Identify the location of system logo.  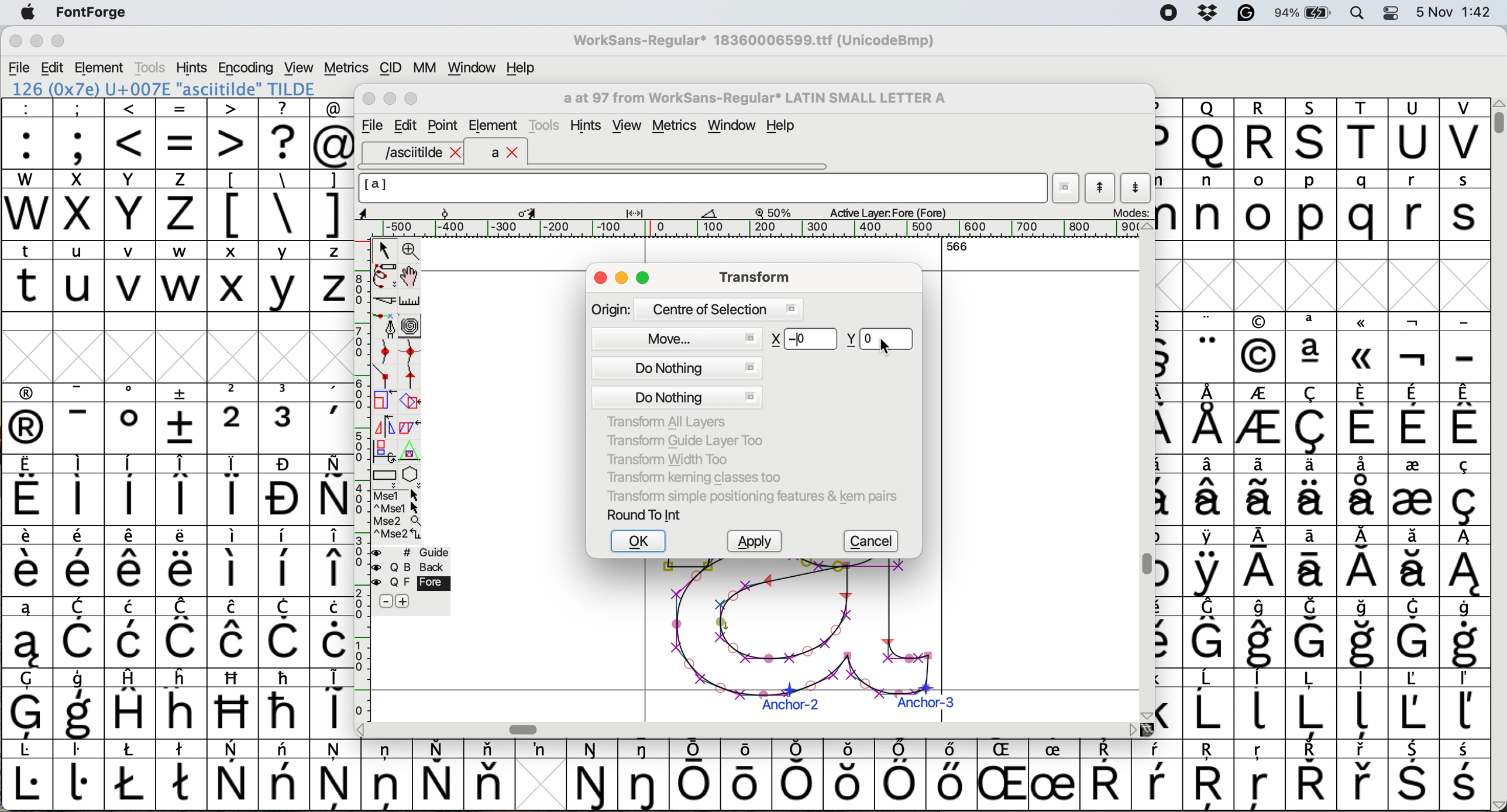
(27, 13).